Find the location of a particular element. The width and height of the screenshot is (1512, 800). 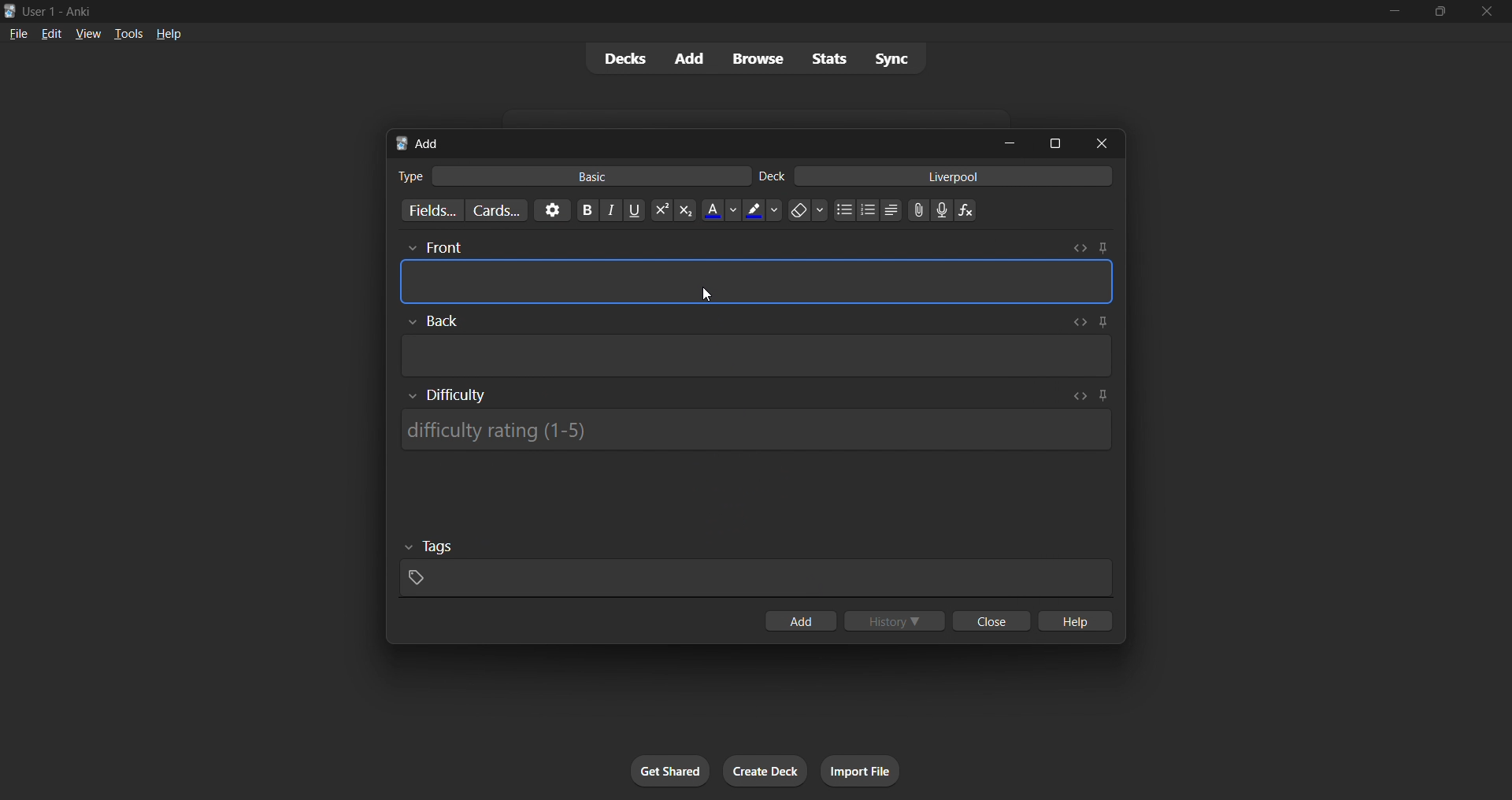

Toggle HTML editor is located at coordinates (1080, 248).